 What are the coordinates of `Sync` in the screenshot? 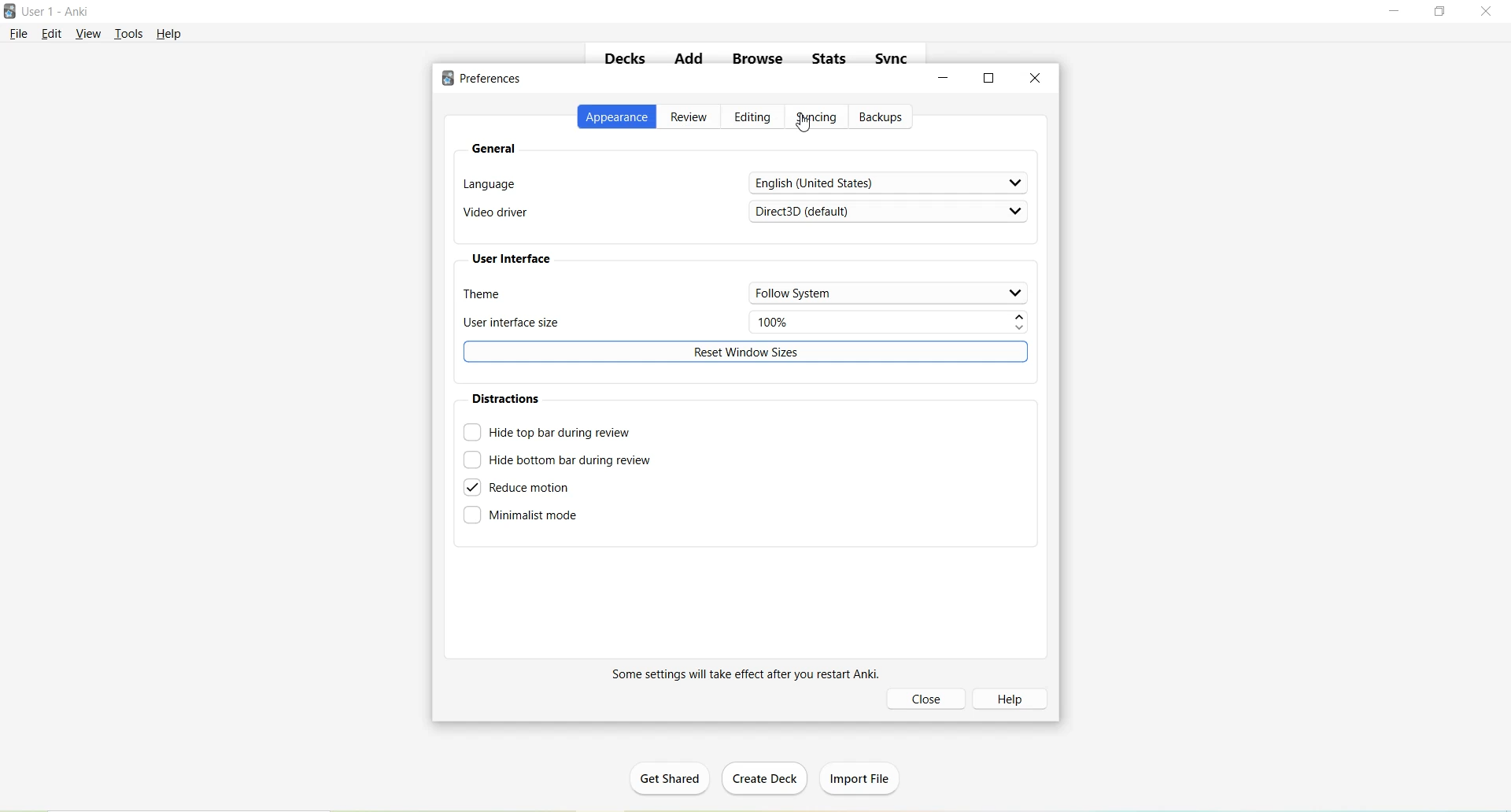 It's located at (893, 59).